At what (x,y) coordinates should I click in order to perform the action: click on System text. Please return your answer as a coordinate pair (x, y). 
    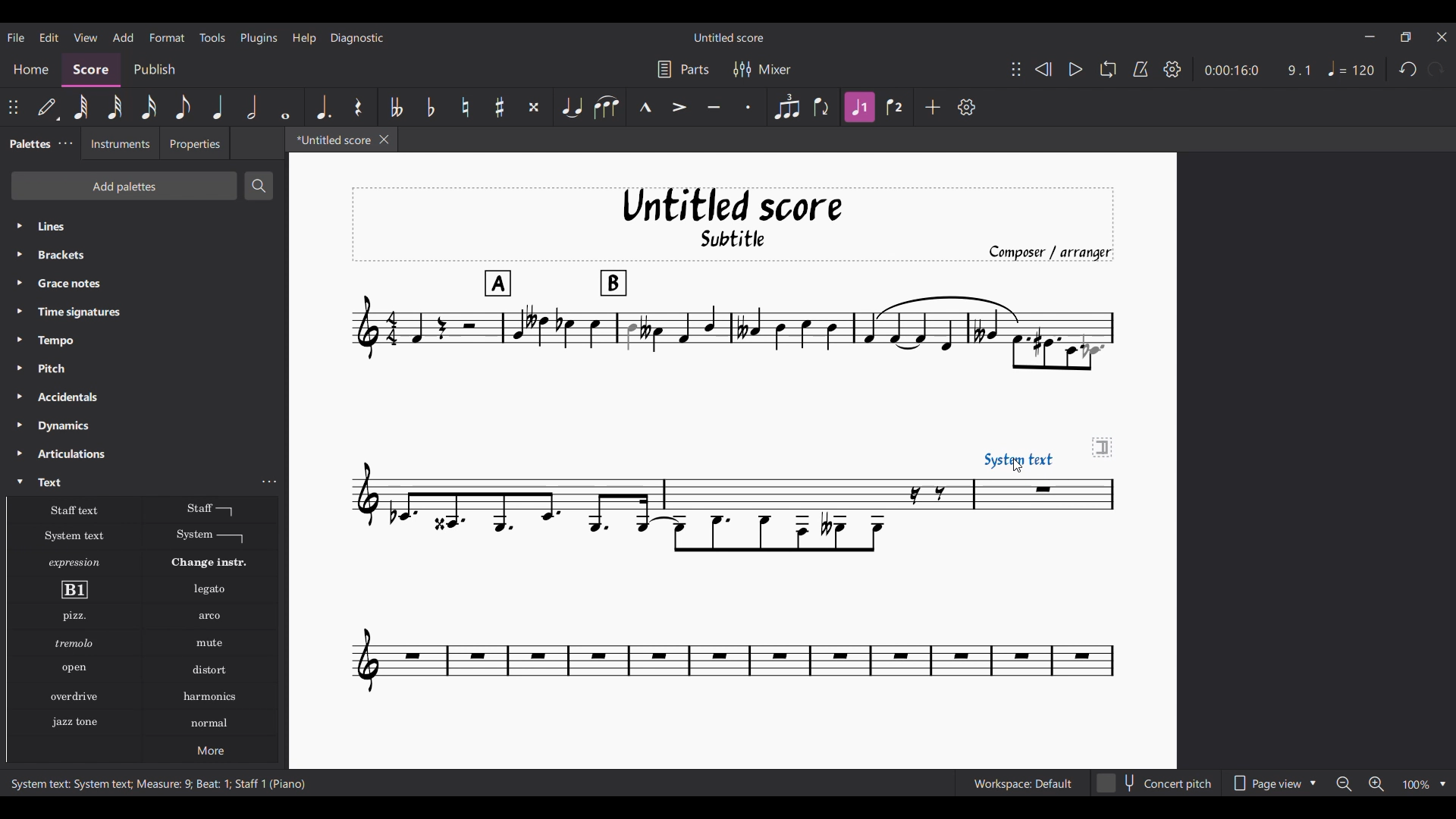
    Looking at the image, I should click on (74, 536).